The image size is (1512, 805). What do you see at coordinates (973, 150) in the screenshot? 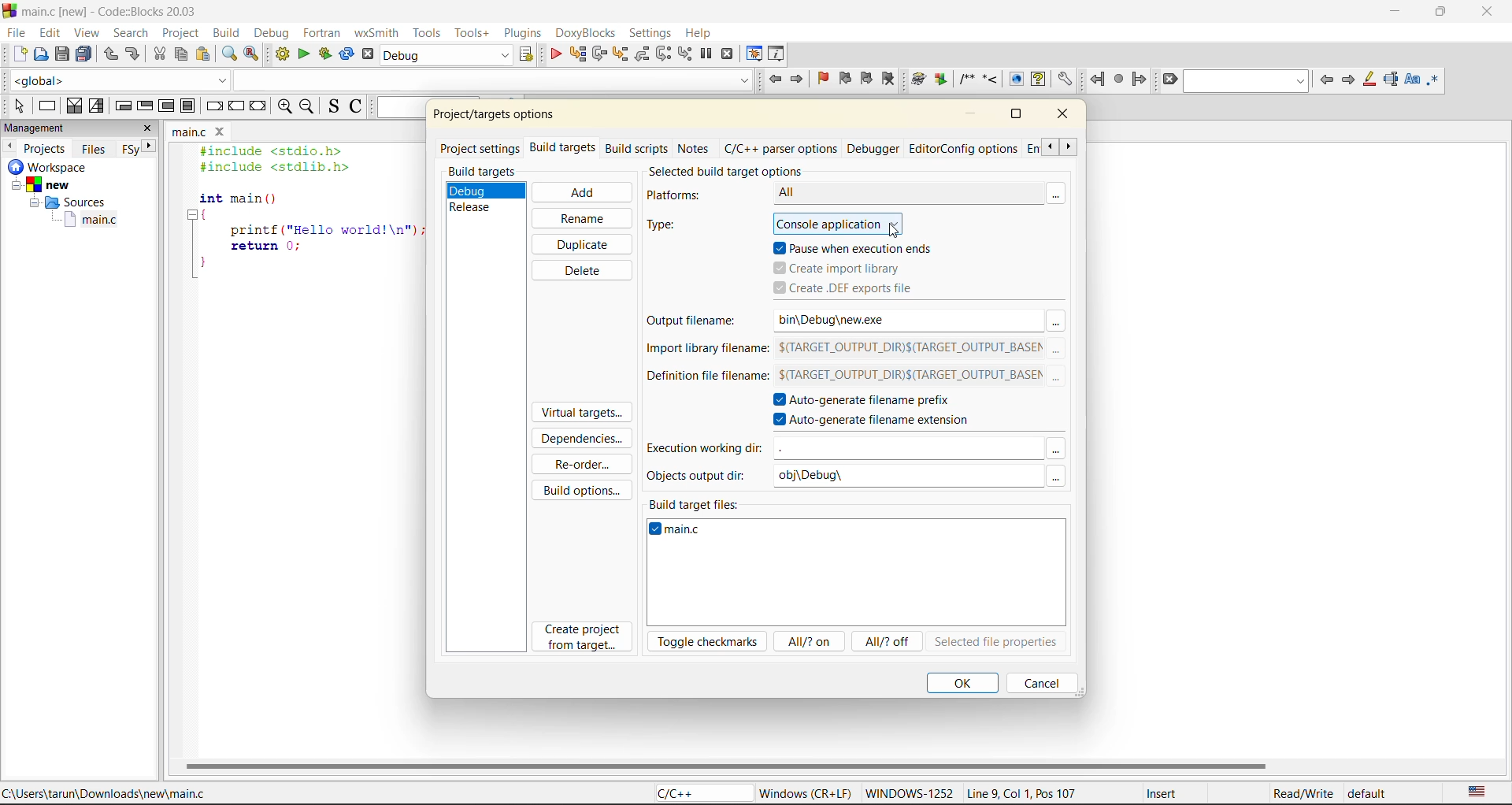
I see `editor/config options` at bounding box center [973, 150].